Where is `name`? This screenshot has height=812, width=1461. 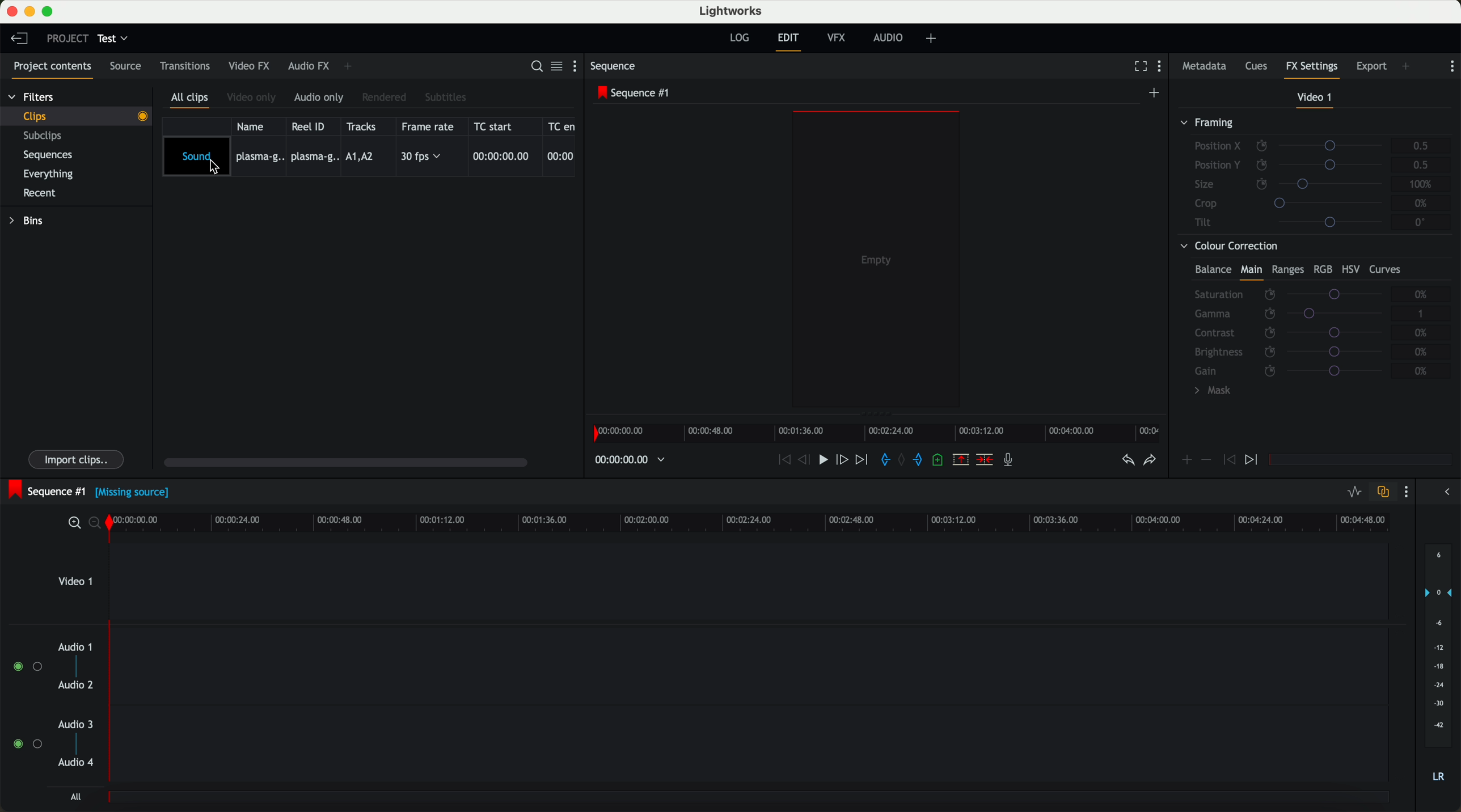
name is located at coordinates (254, 126).